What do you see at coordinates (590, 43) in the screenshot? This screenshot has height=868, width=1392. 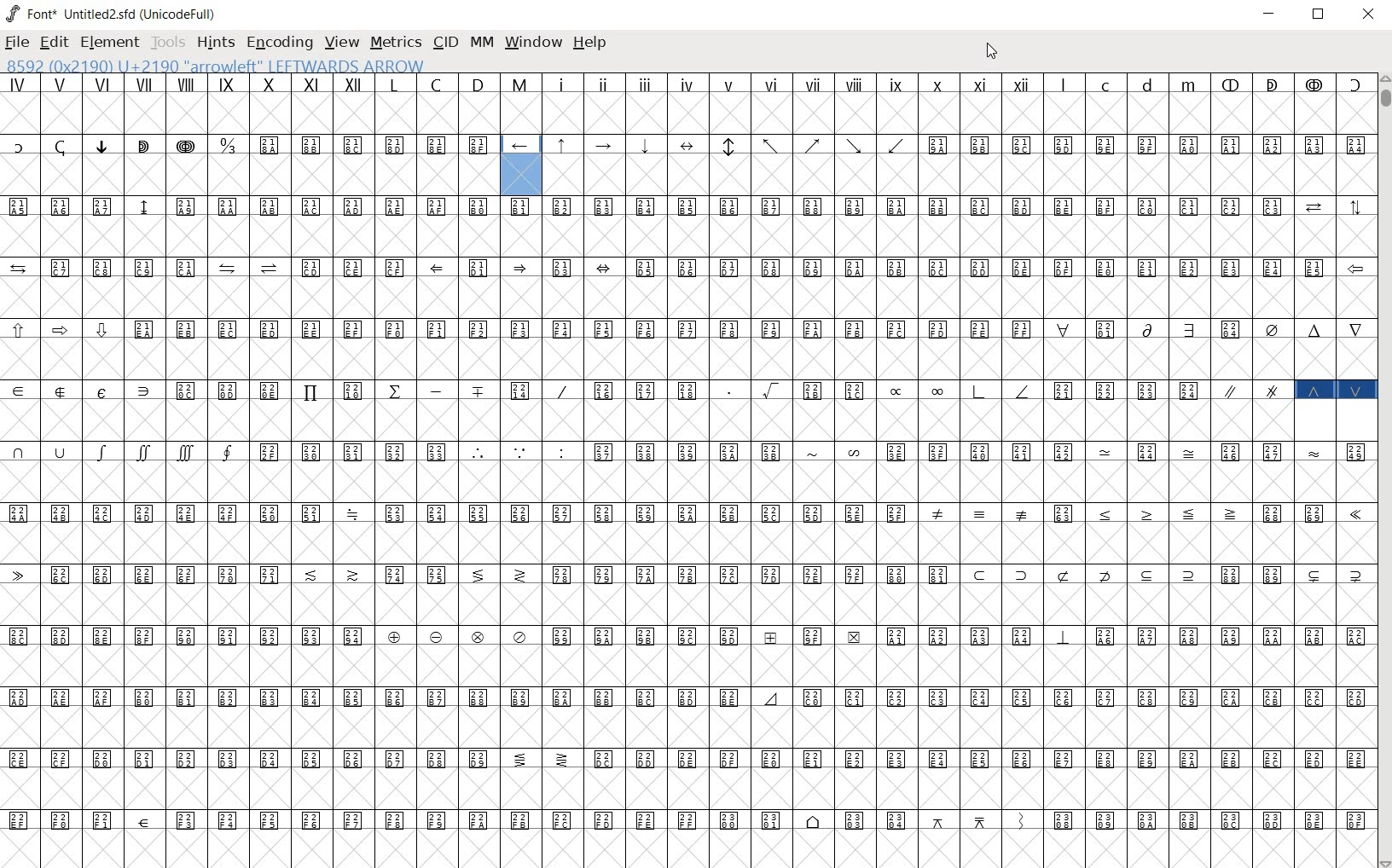 I see `help` at bounding box center [590, 43].